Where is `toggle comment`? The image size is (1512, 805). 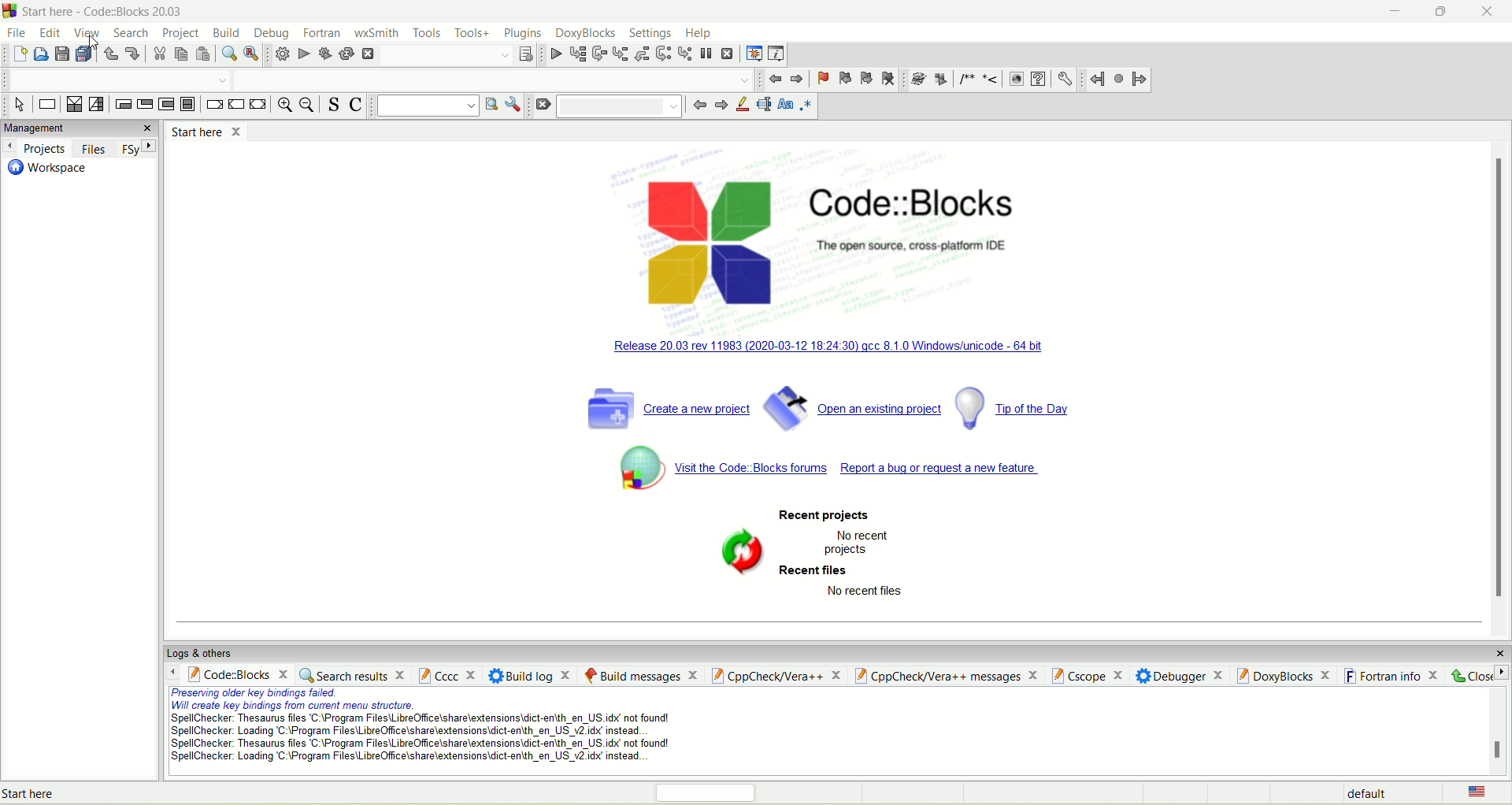
toggle comment is located at coordinates (358, 108).